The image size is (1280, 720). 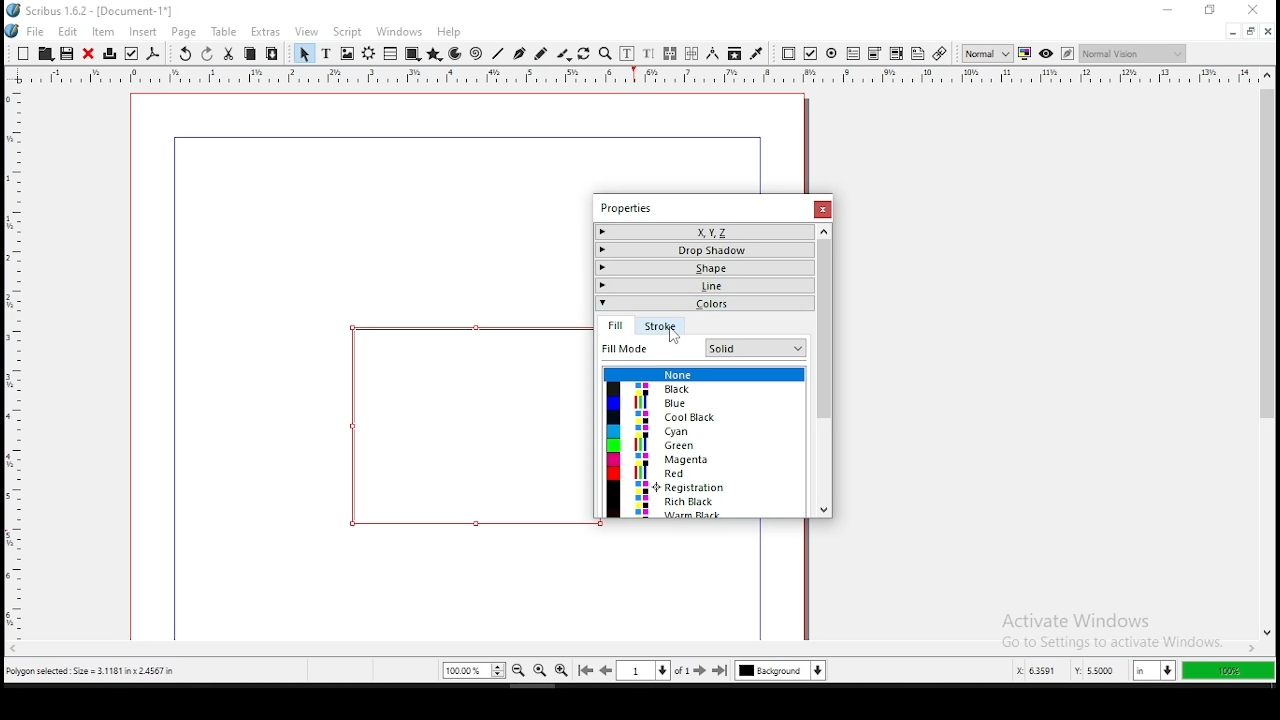 I want to click on page, so click(x=183, y=32).